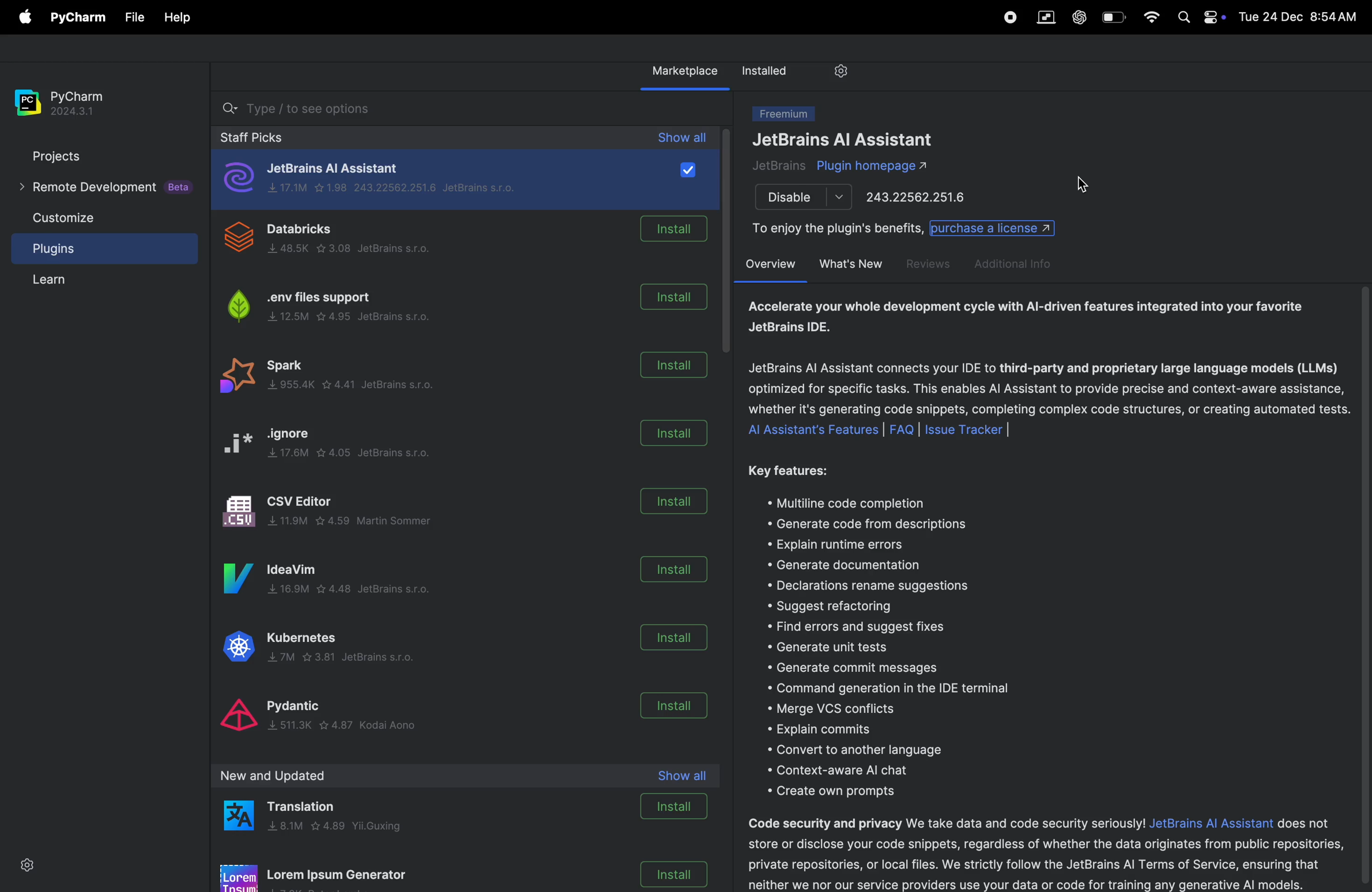 The width and height of the screenshot is (1372, 892). What do you see at coordinates (80, 101) in the screenshot?
I see `pycharm version` at bounding box center [80, 101].